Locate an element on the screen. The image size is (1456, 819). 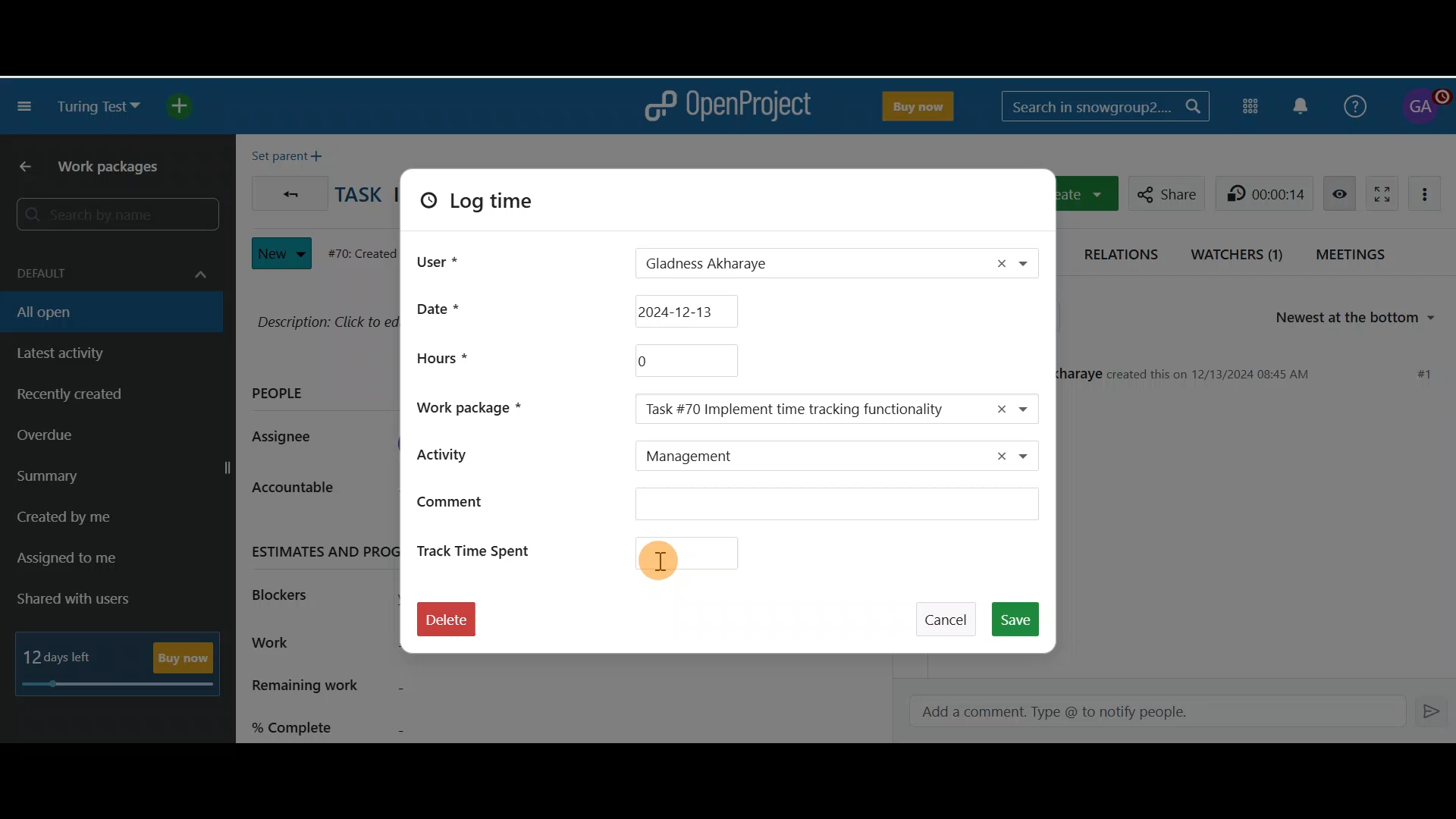
Created by me is located at coordinates (100, 522).